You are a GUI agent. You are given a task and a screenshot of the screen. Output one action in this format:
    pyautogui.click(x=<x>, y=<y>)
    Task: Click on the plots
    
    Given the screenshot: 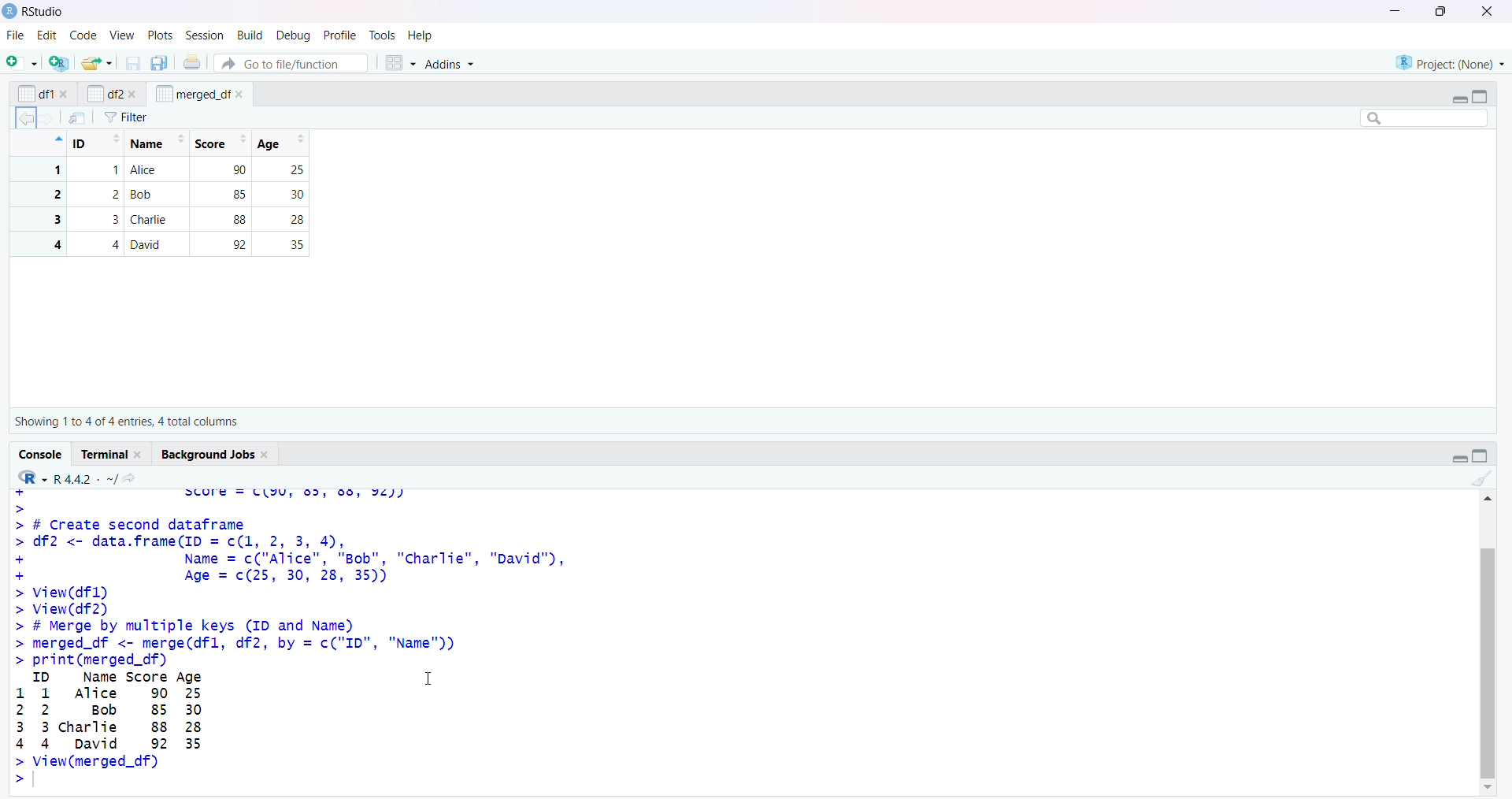 What is the action you would take?
    pyautogui.click(x=162, y=36)
    